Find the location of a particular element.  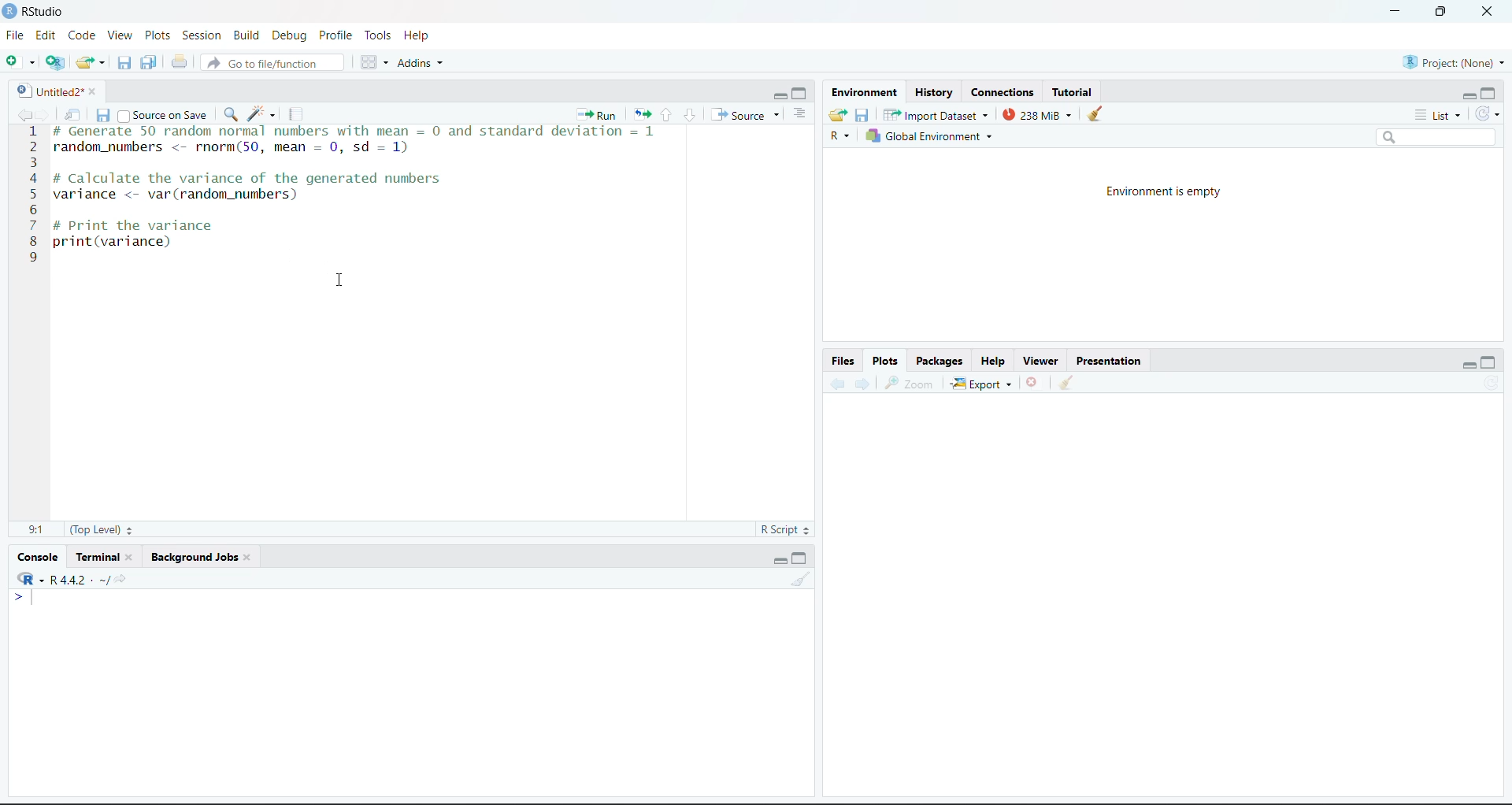

forward is located at coordinates (44, 114).